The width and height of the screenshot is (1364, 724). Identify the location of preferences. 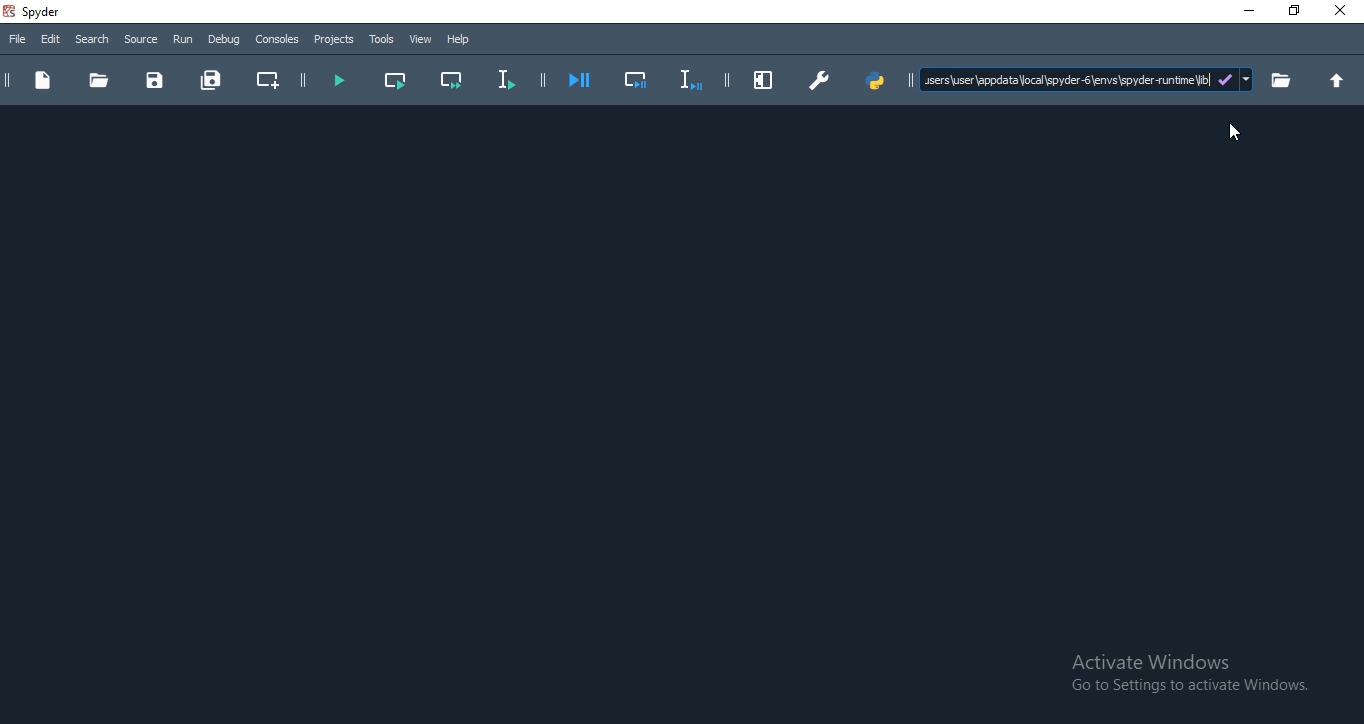
(819, 82).